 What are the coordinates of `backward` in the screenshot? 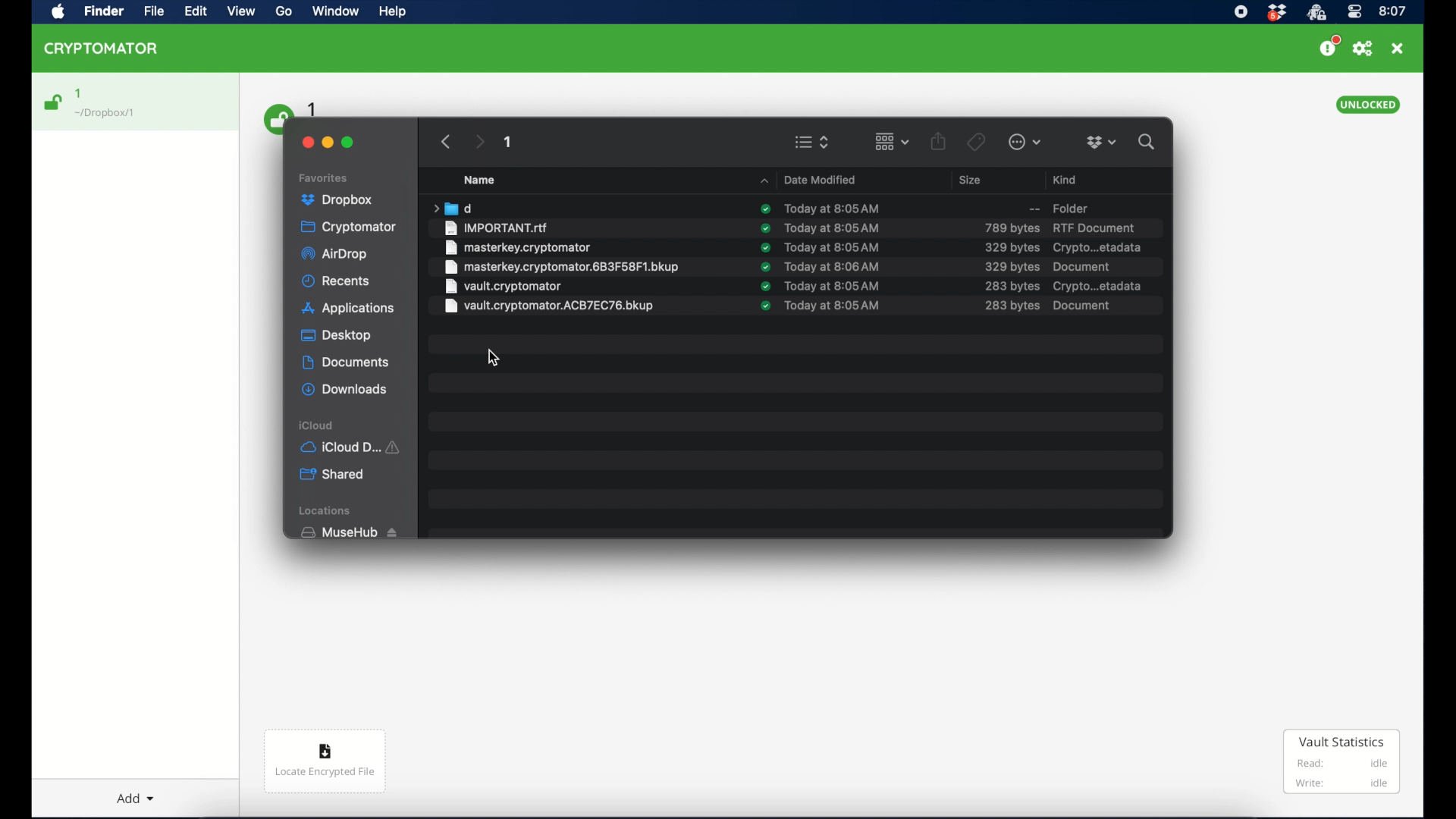 It's located at (443, 141).